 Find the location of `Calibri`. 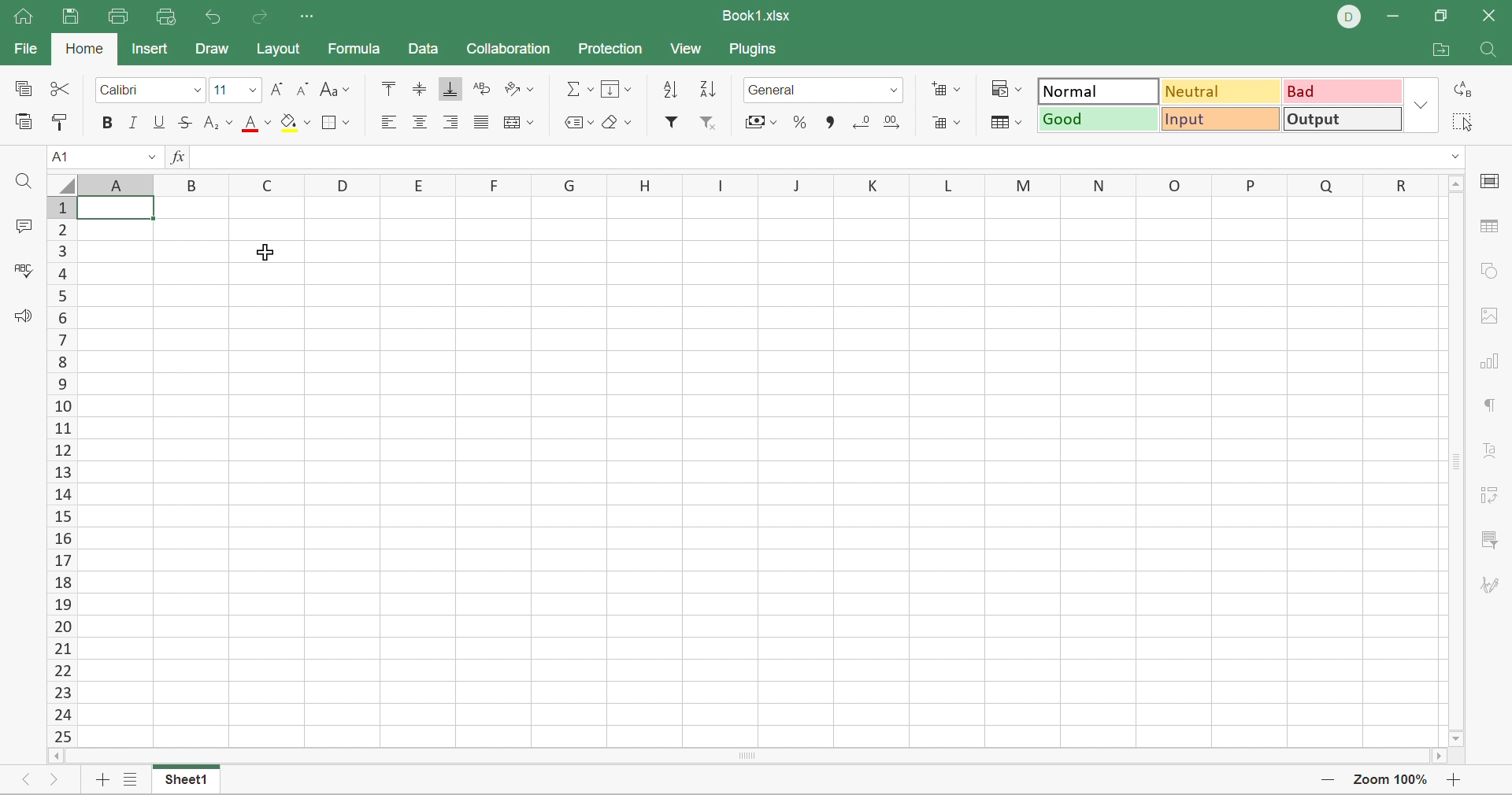

Calibri is located at coordinates (124, 91).